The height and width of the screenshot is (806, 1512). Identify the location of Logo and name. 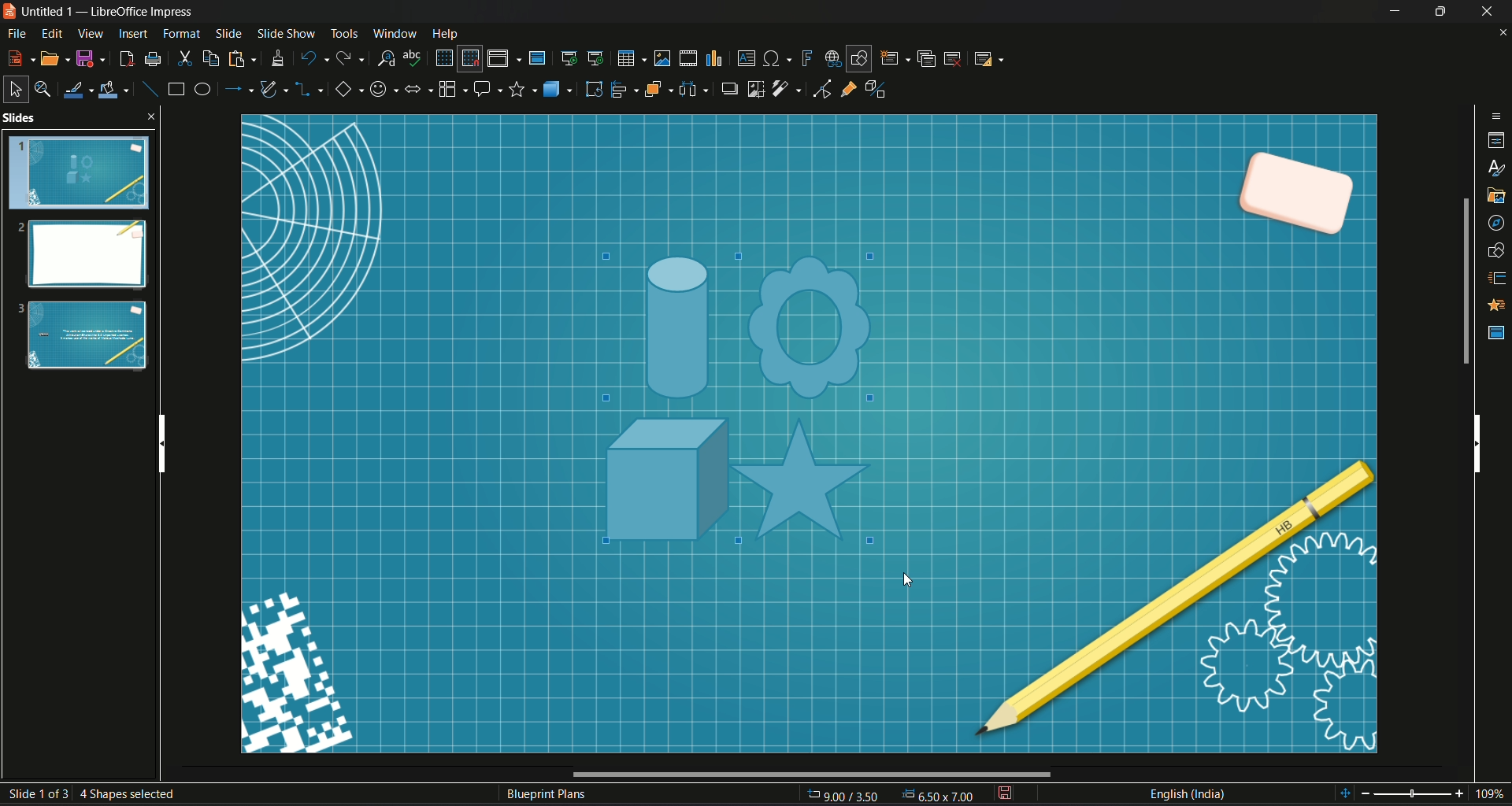
(102, 13).